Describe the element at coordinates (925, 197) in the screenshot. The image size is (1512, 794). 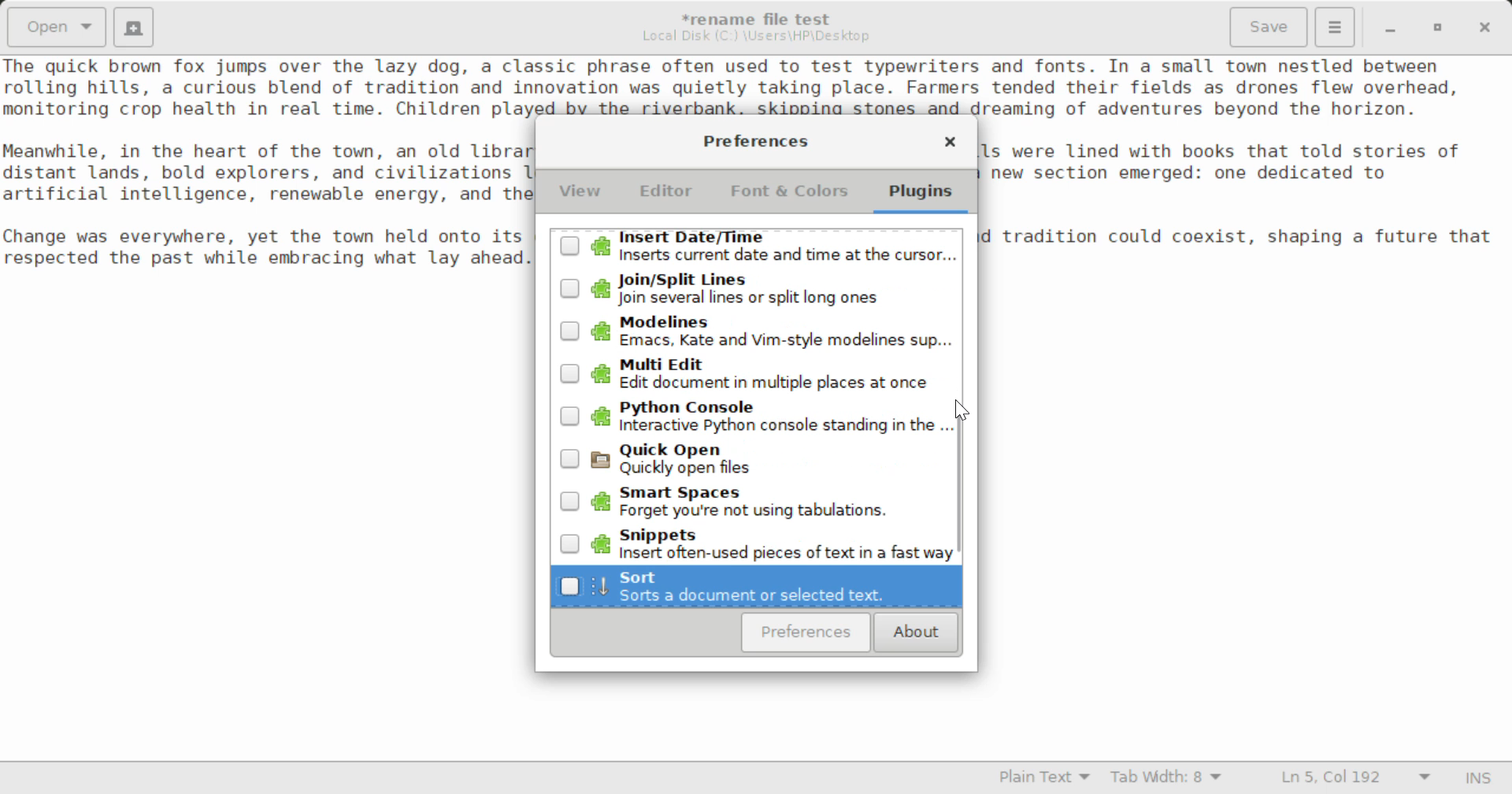
I see `Plugins Tab Selected` at that location.